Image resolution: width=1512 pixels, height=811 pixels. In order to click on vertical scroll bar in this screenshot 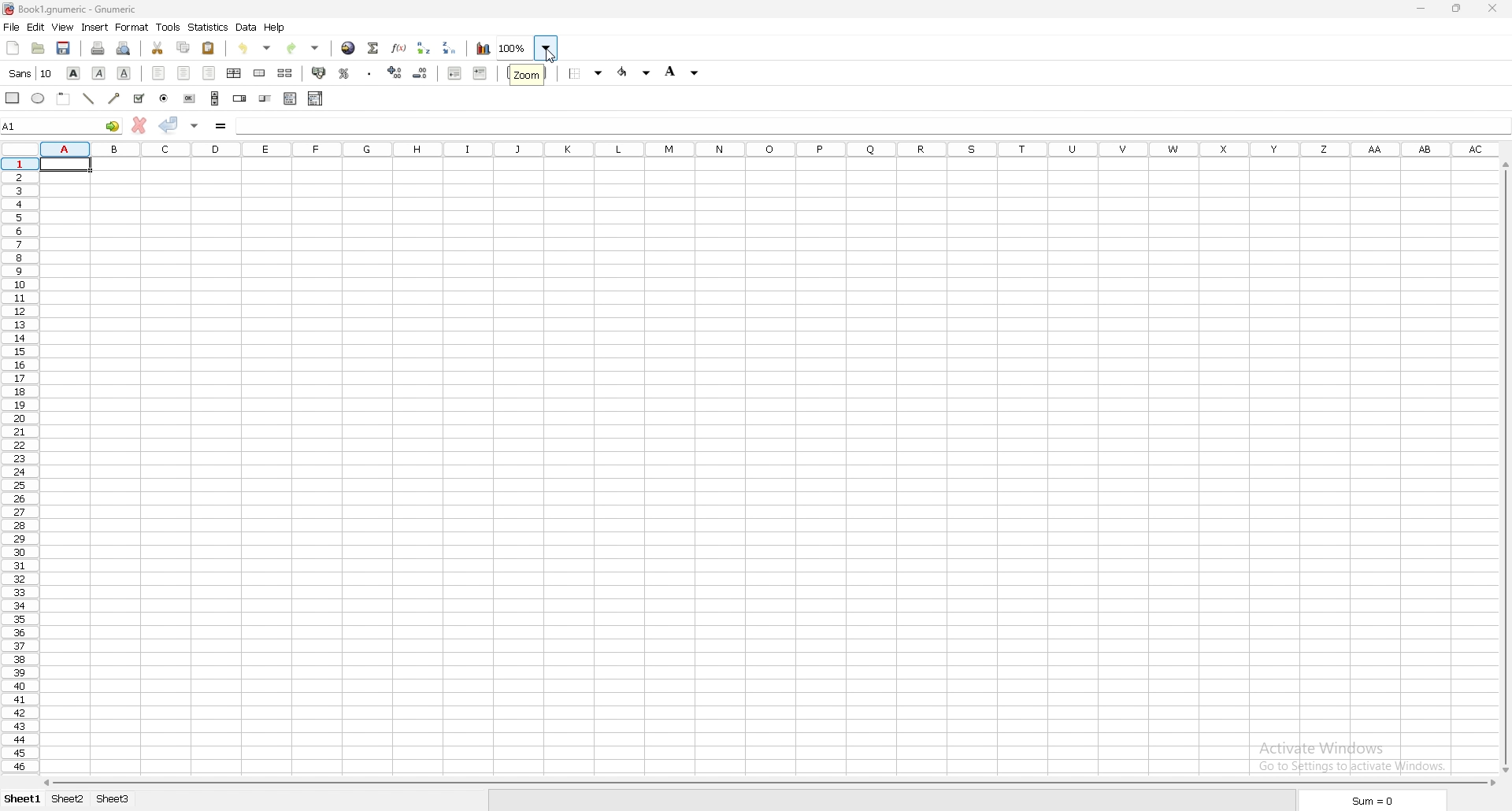, I will do `click(1507, 465)`.